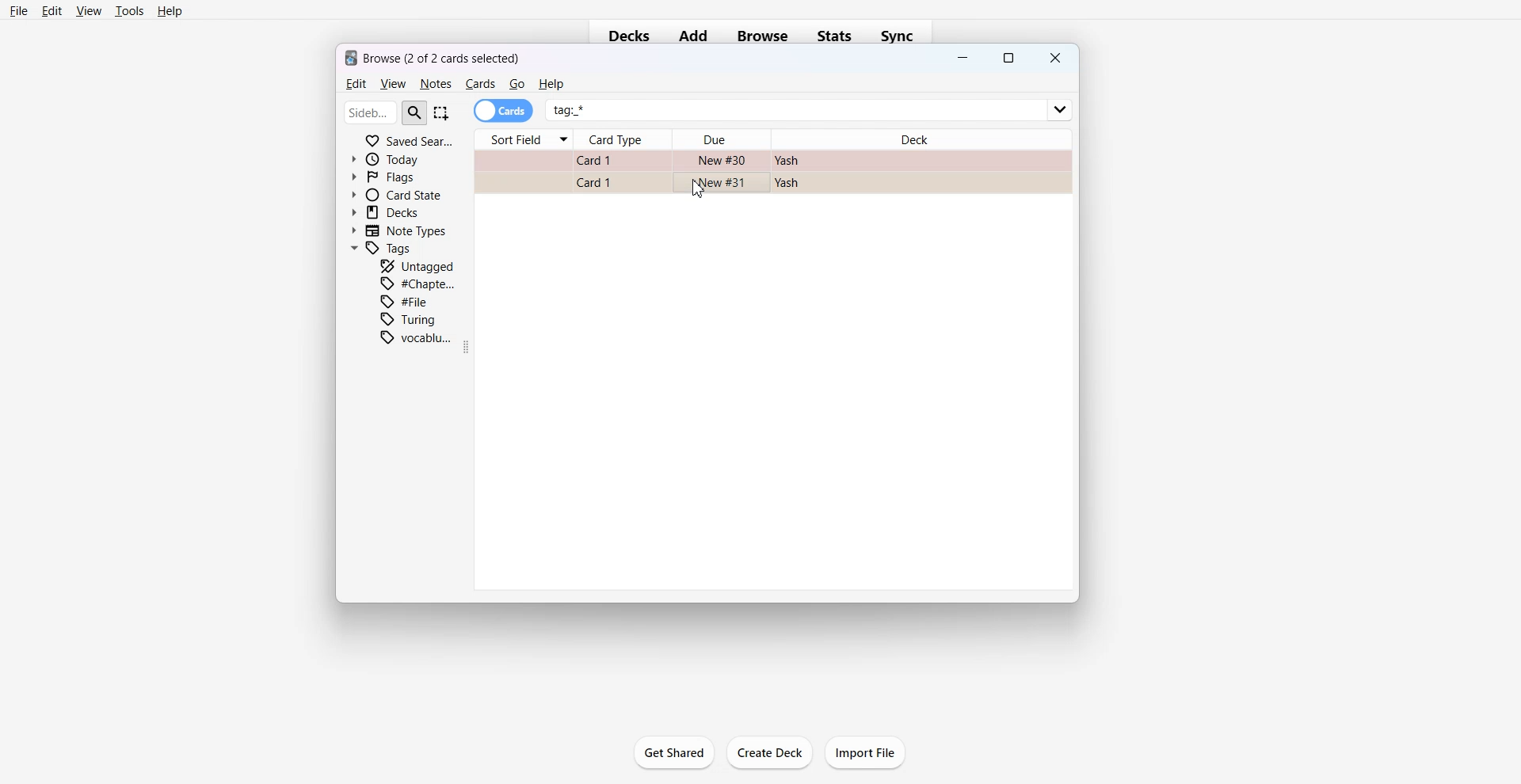 This screenshot has width=1521, height=784. What do you see at coordinates (762, 36) in the screenshot?
I see `Browse` at bounding box center [762, 36].